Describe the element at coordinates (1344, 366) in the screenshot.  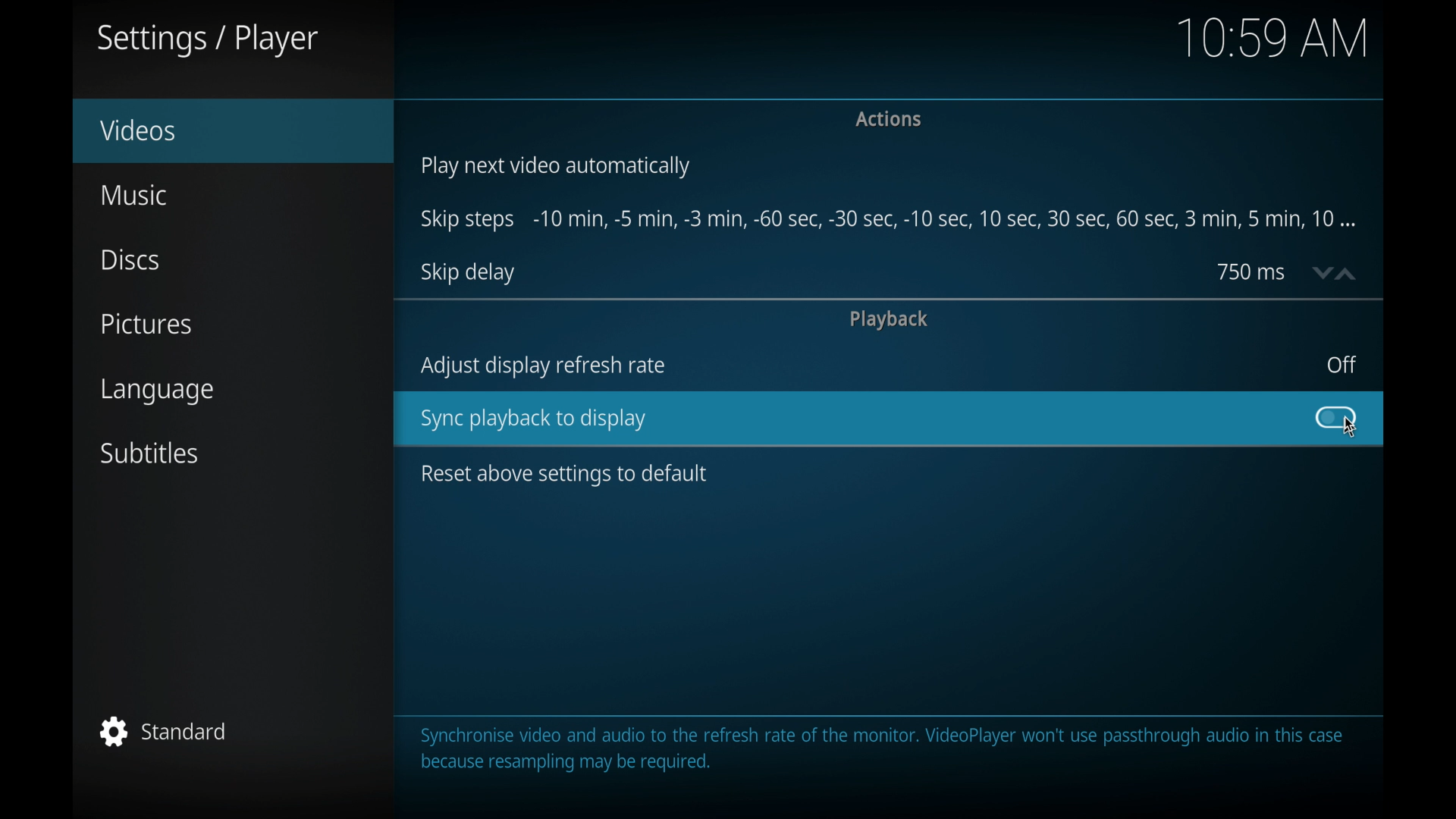
I see `off` at that location.